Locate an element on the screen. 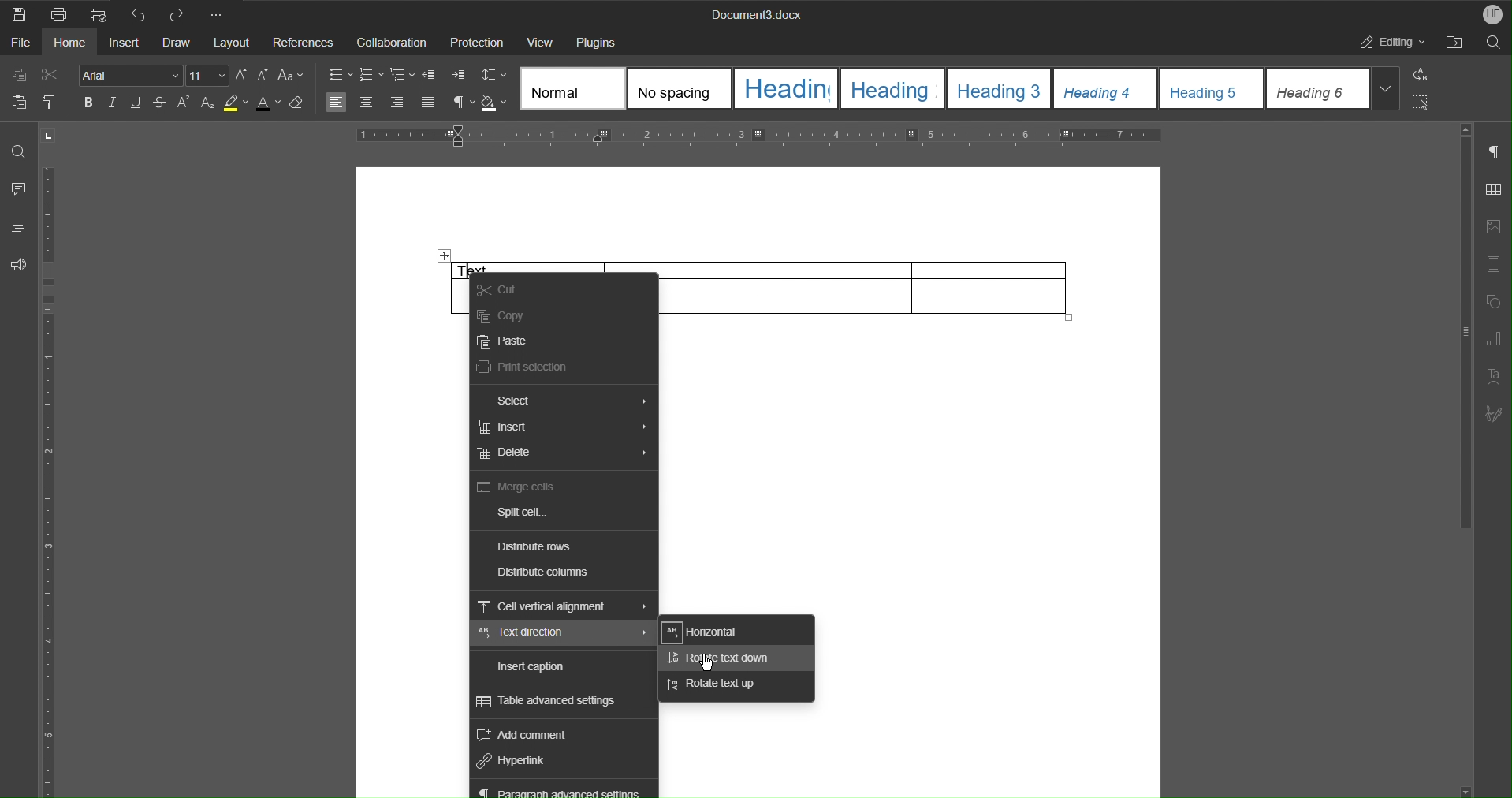 This screenshot has height=798, width=1512. Horizontal Ruler is located at coordinates (758, 138).